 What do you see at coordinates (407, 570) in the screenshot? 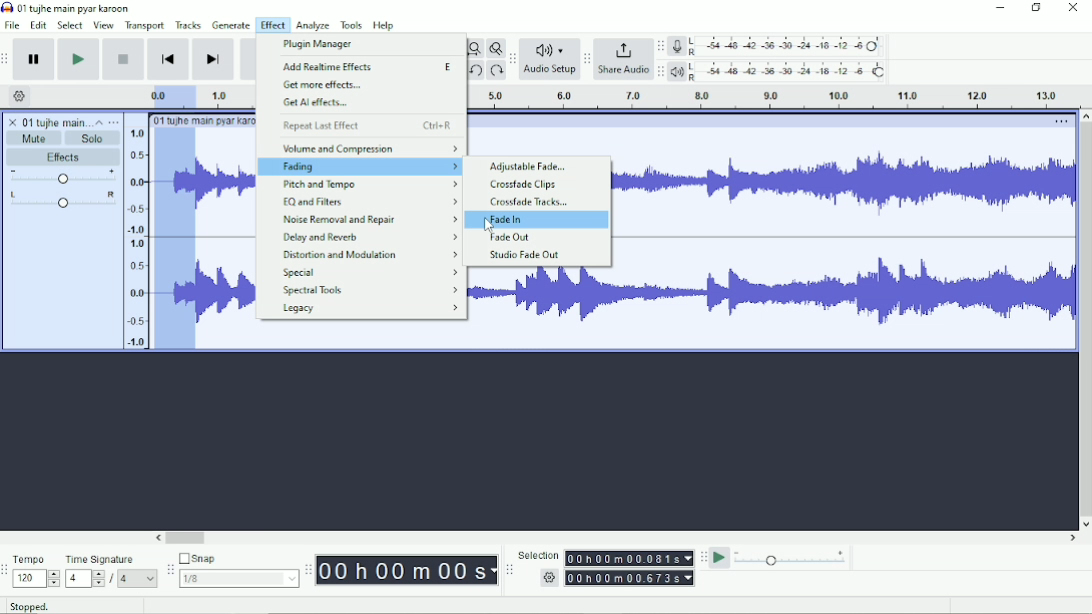
I see `00 h 00 m 00s` at bounding box center [407, 570].